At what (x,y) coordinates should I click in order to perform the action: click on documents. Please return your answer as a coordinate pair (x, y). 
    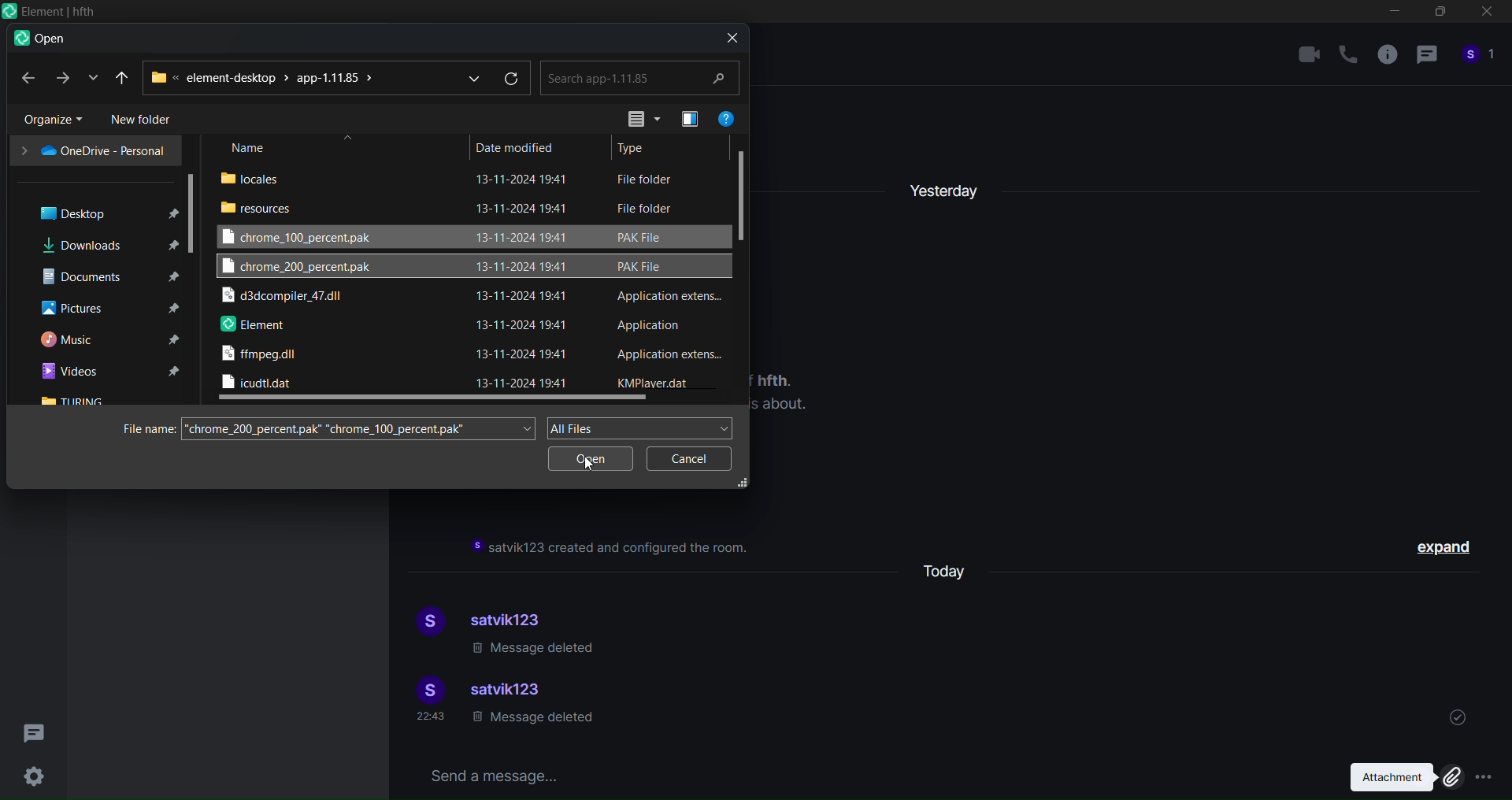
    Looking at the image, I should click on (105, 276).